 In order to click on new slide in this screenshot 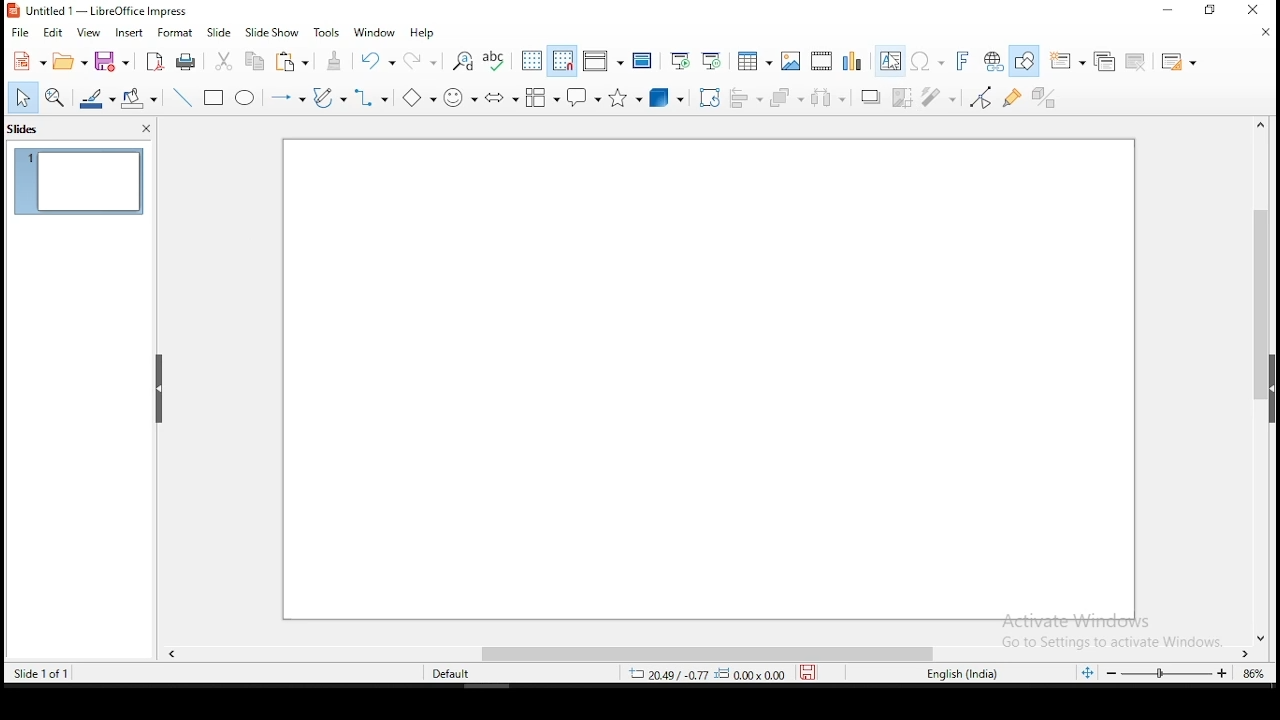, I will do `click(1066, 60)`.